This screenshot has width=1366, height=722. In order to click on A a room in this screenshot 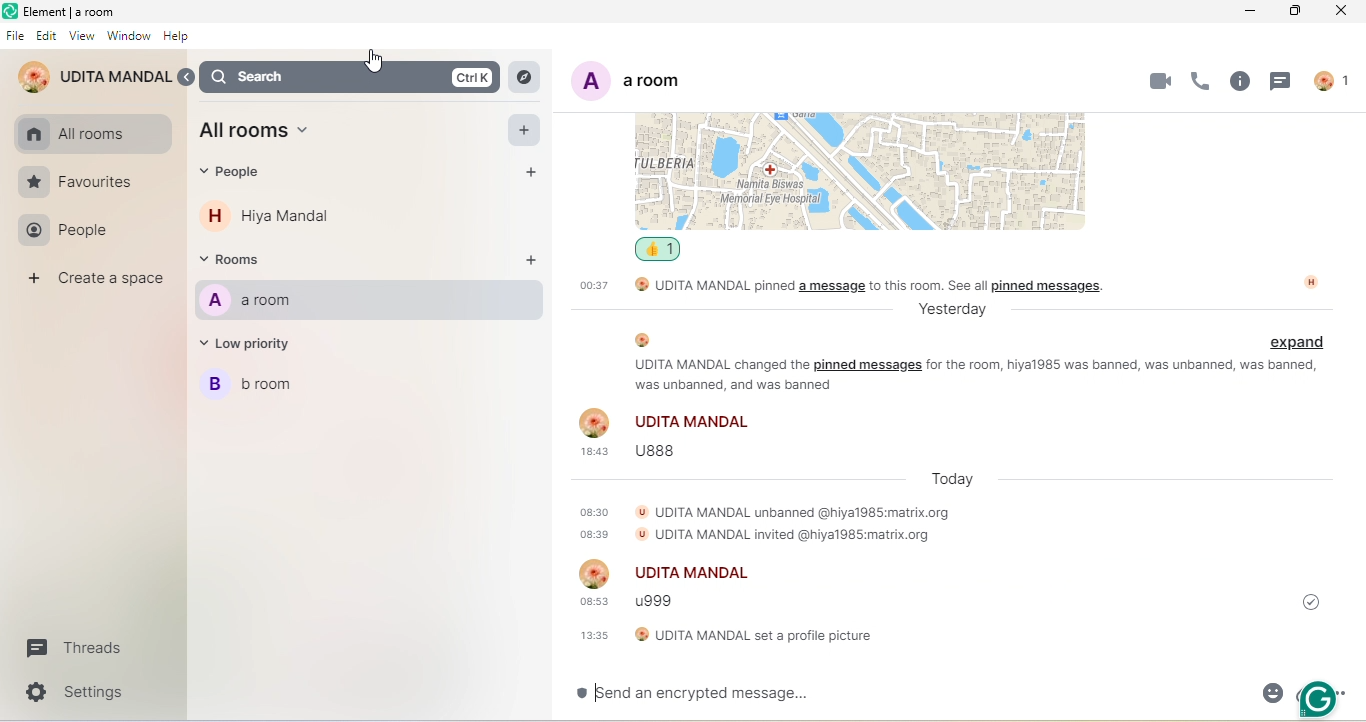, I will do `click(652, 80)`.